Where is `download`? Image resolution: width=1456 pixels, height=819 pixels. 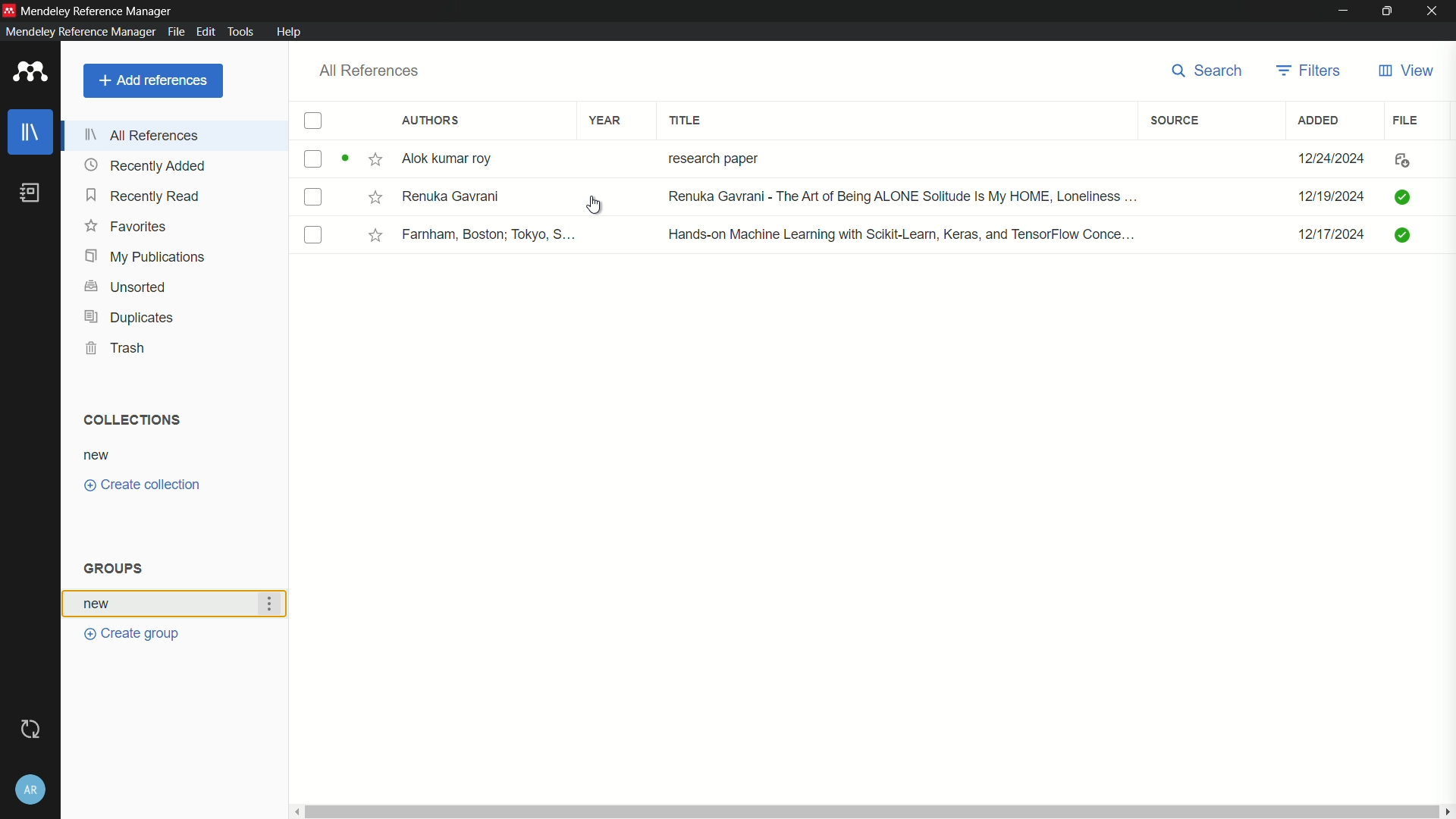 download is located at coordinates (1398, 162).